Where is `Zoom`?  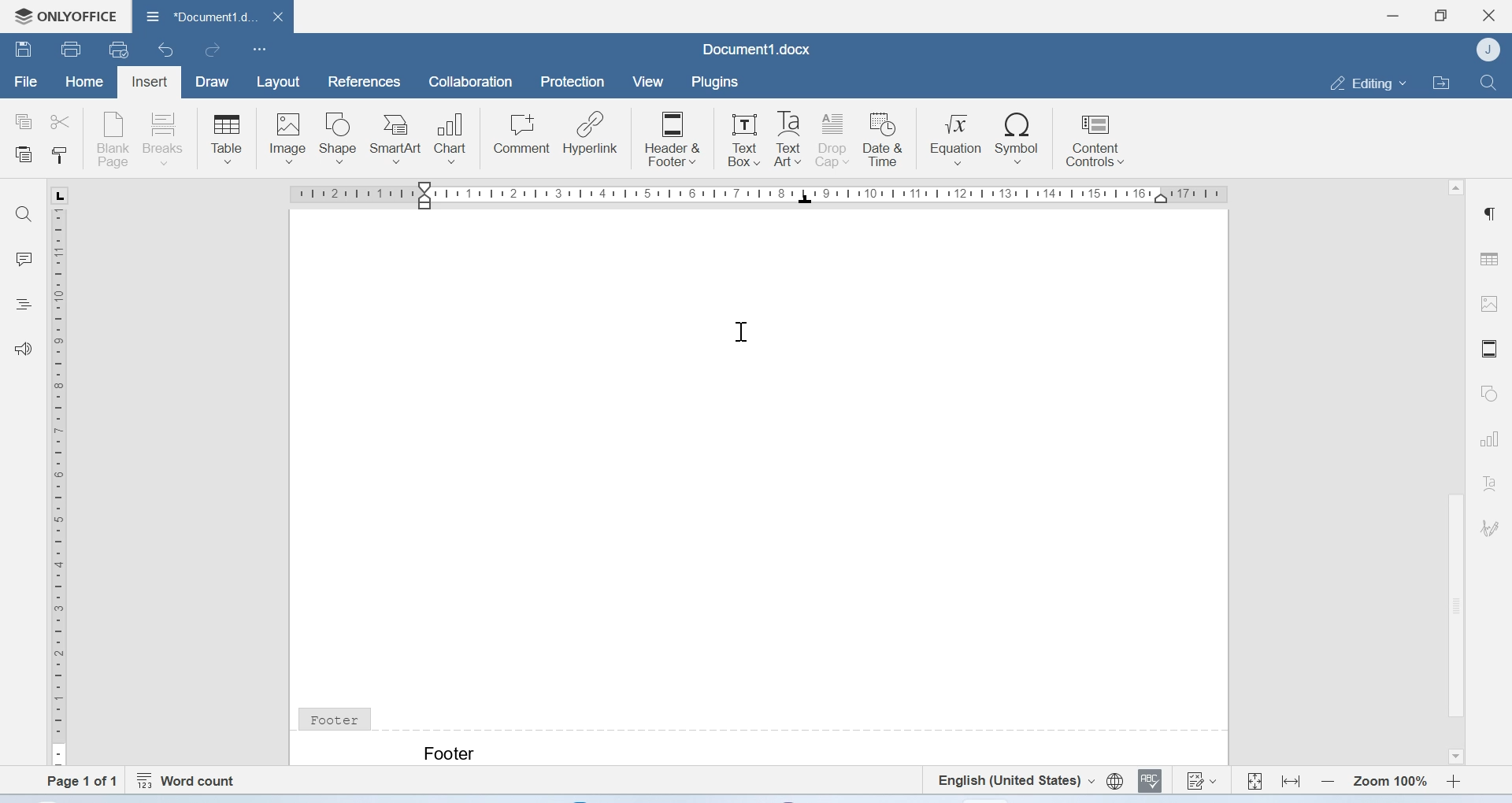 Zoom is located at coordinates (1389, 779).